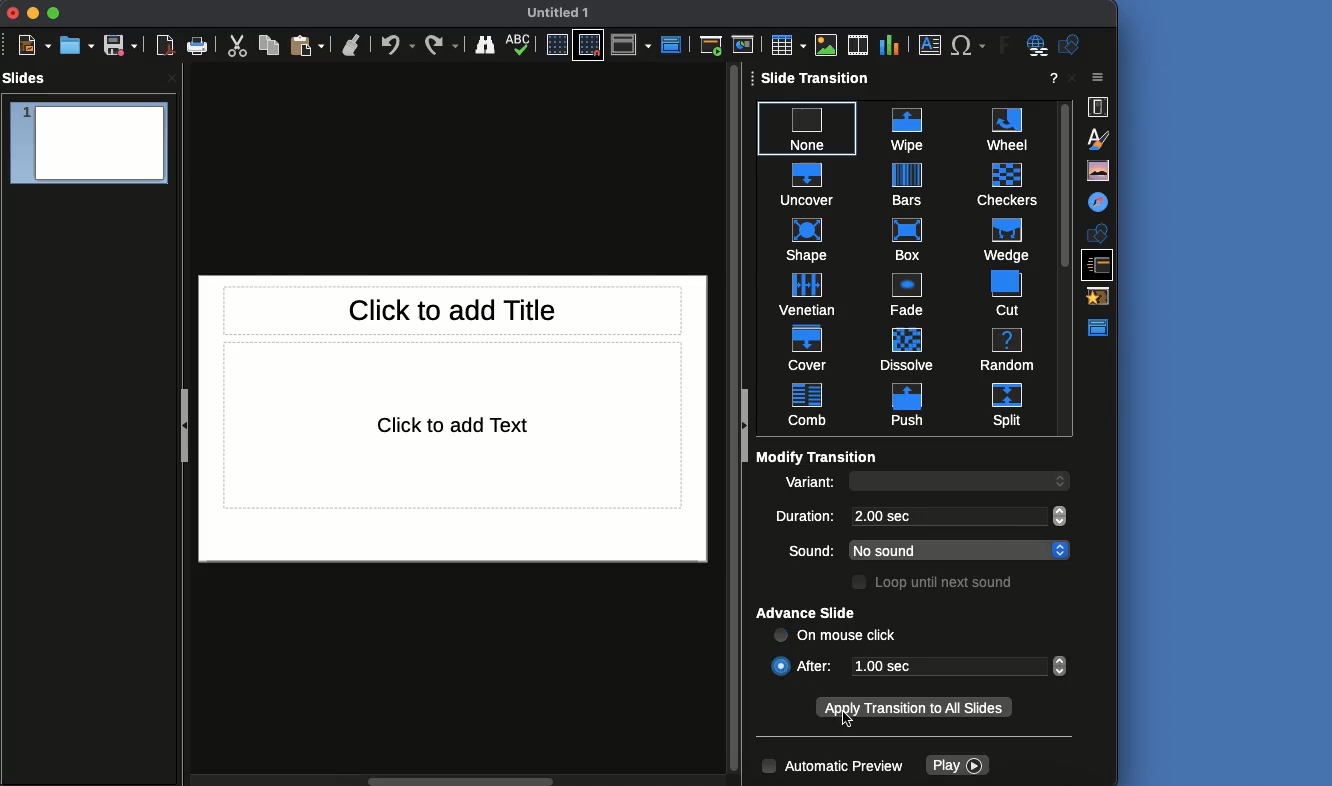 This screenshot has height=786, width=1332. I want to click on box, so click(908, 238).